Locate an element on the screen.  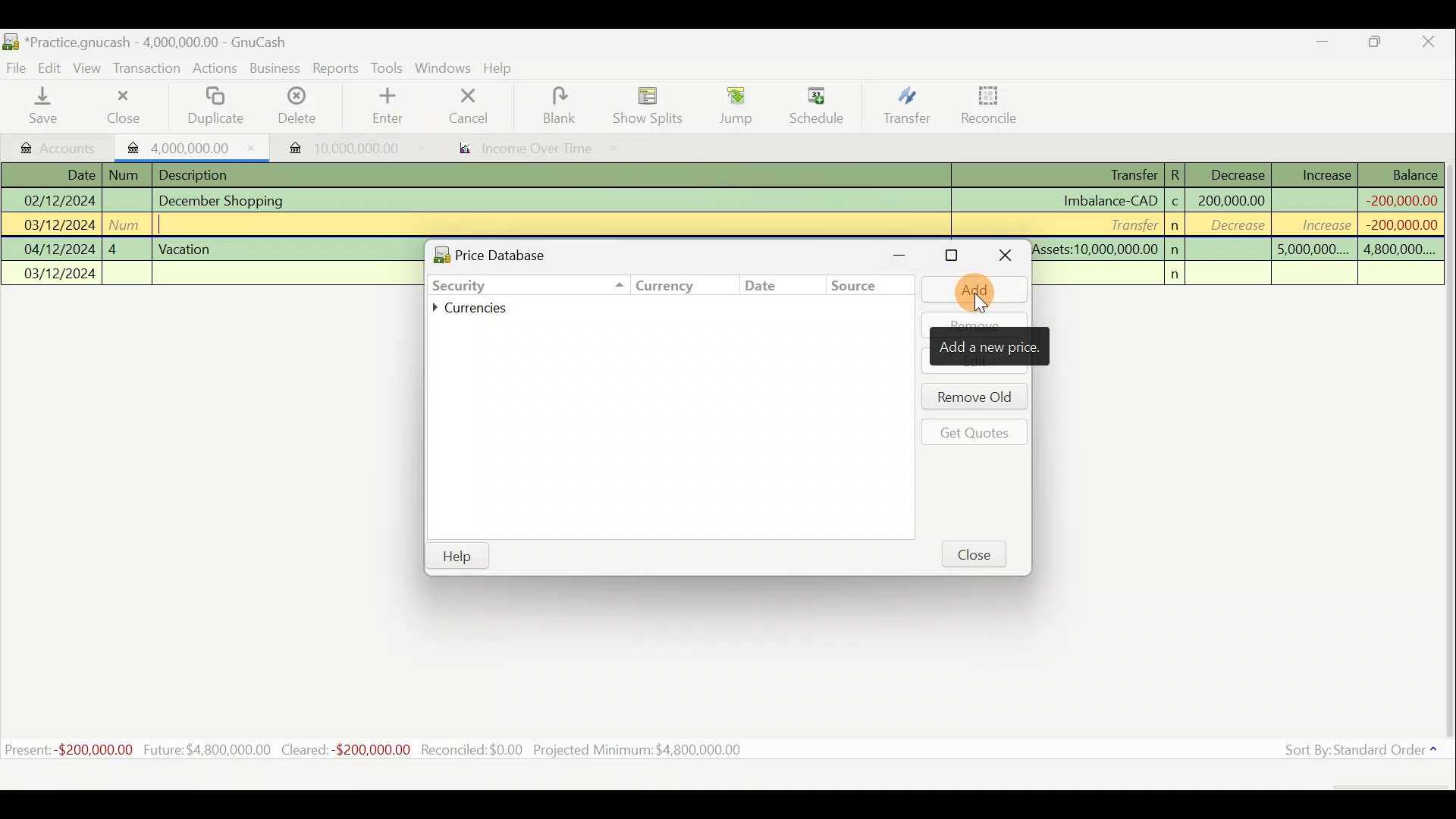
Business is located at coordinates (276, 68).